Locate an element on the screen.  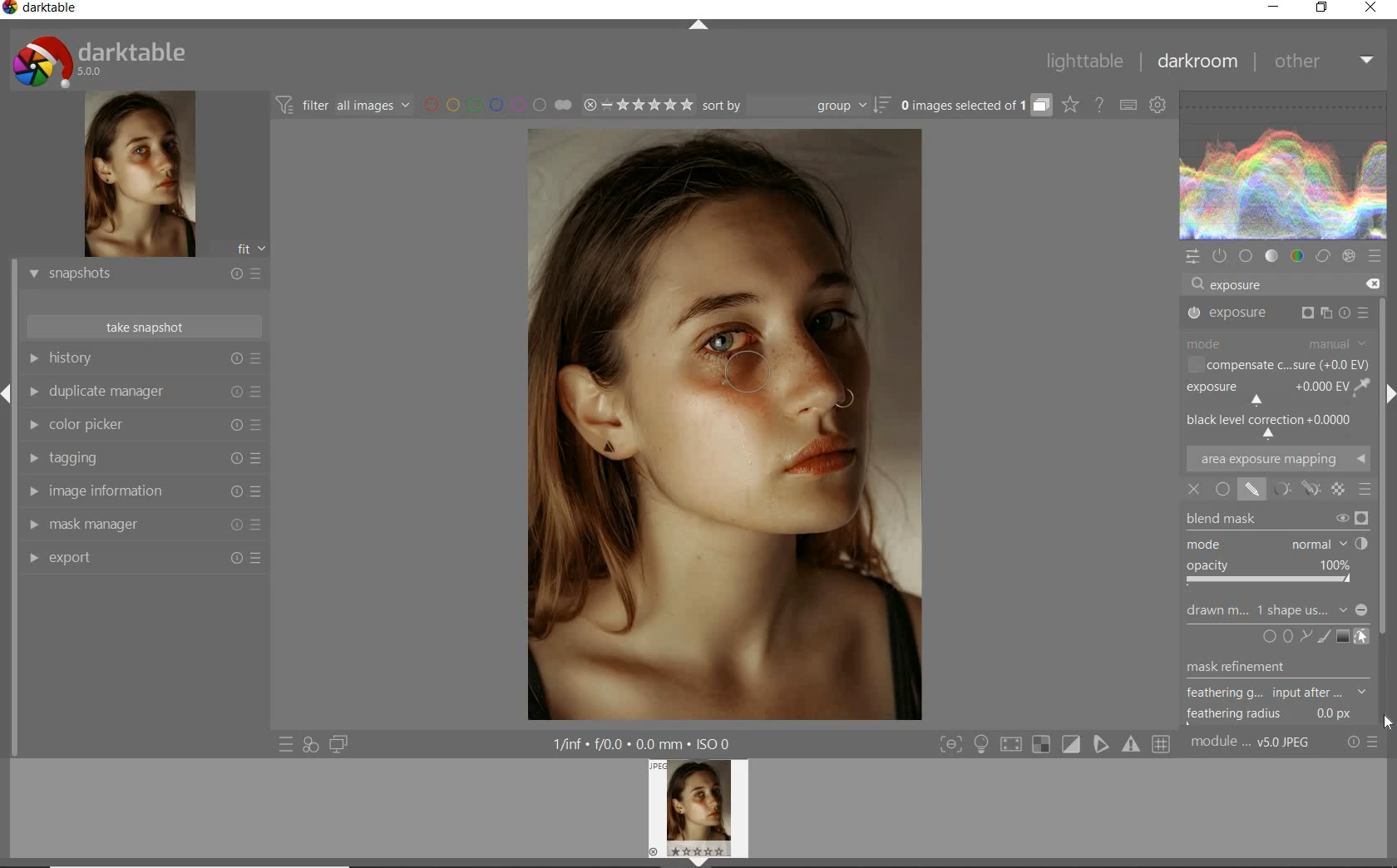
tone is located at coordinates (1271, 256).